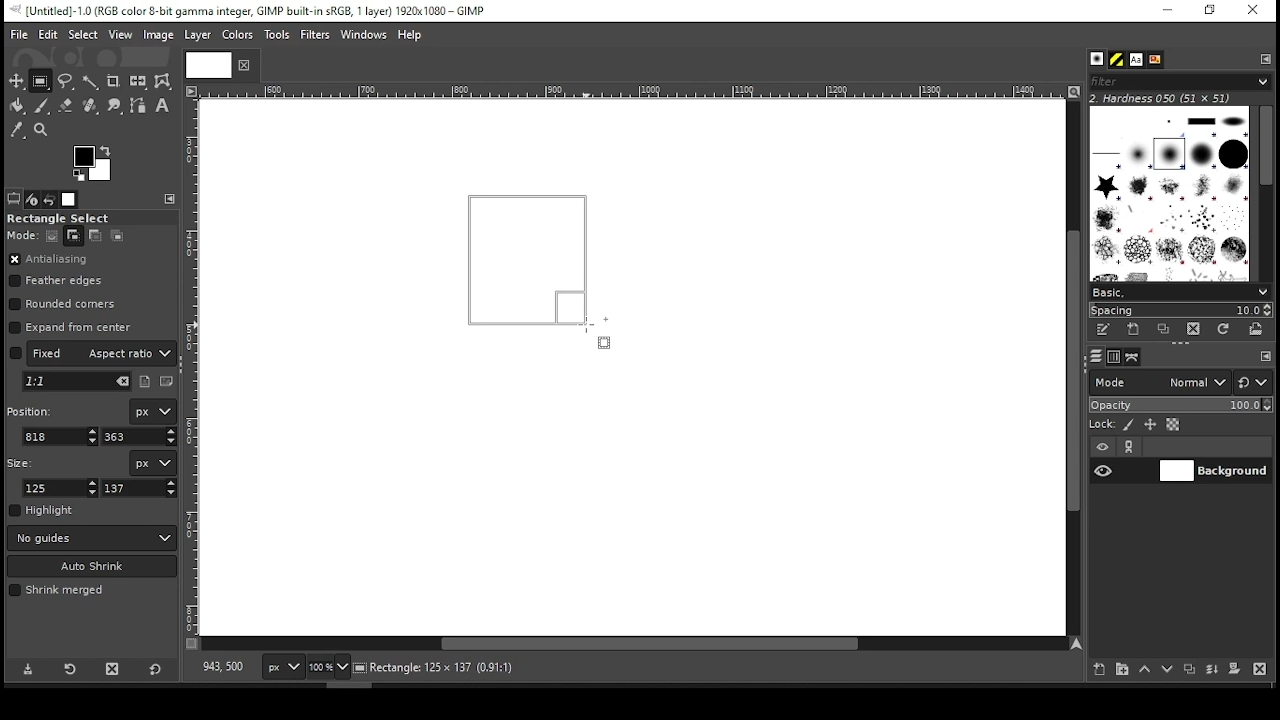 The height and width of the screenshot is (720, 1280). Describe the element at coordinates (205, 64) in the screenshot. I see `` at that location.